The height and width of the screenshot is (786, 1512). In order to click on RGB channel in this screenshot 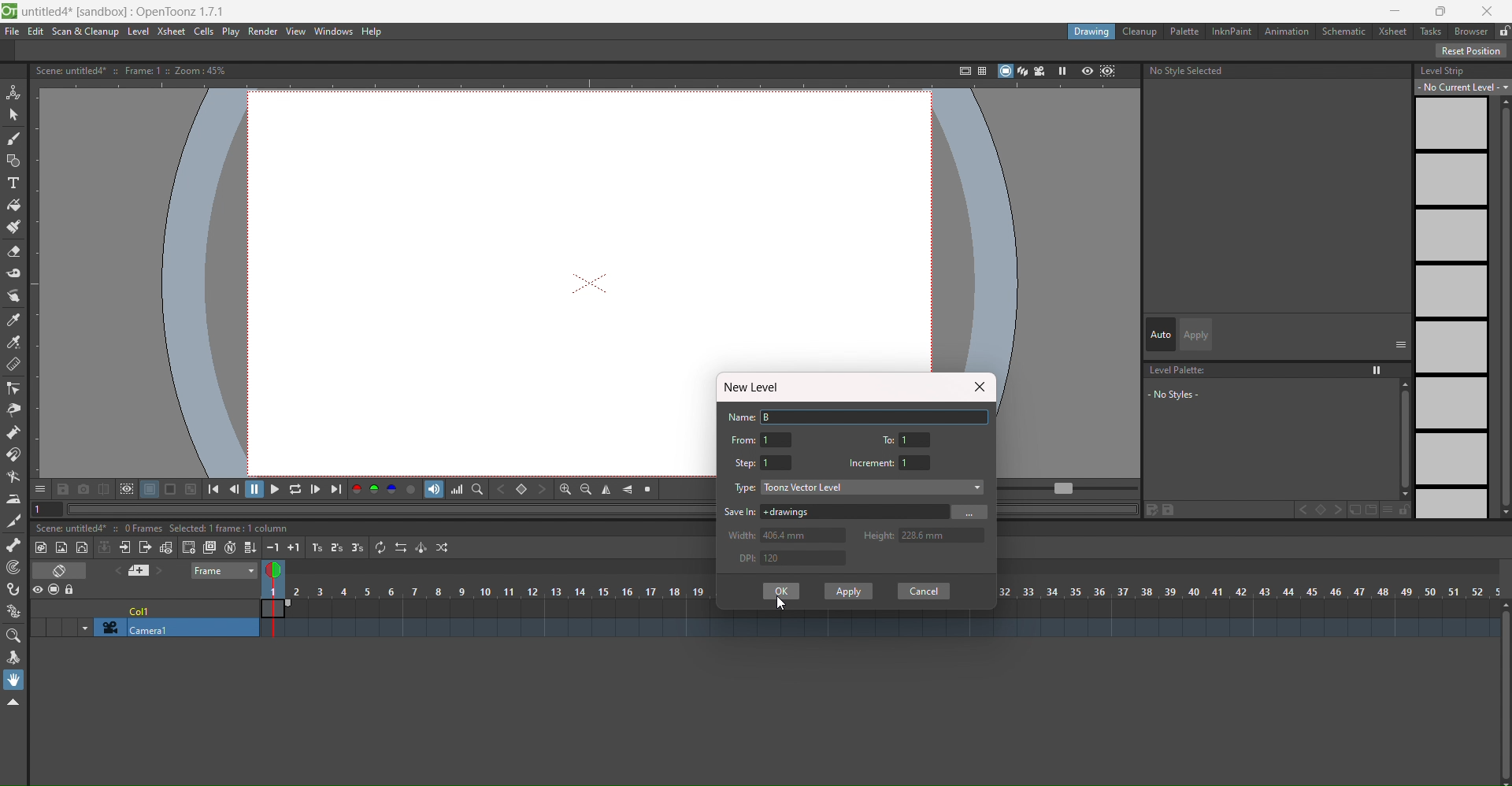, I will do `click(374, 489)`.